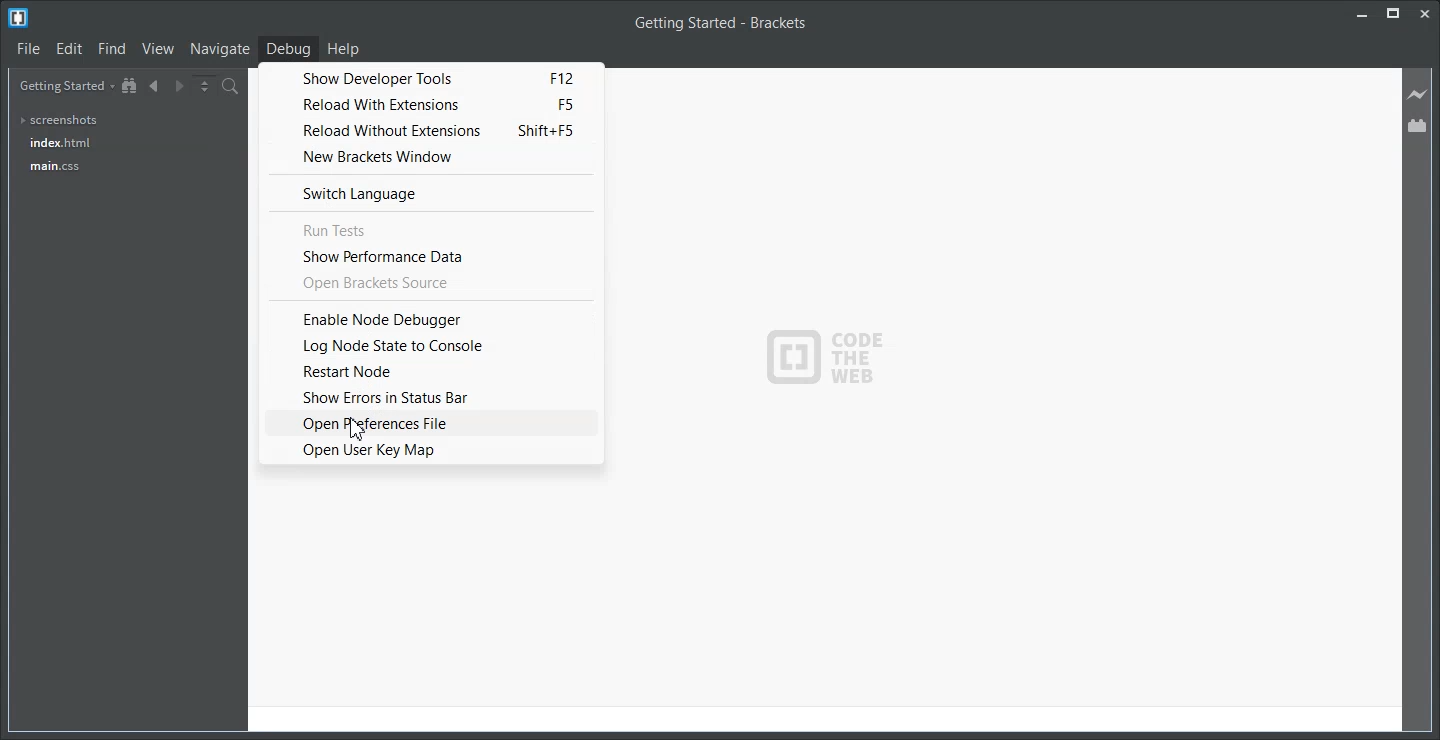 The width and height of the screenshot is (1440, 740). What do you see at coordinates (345, 49) in the screenshot?
I see `Help` at bounding box center [345, 49].